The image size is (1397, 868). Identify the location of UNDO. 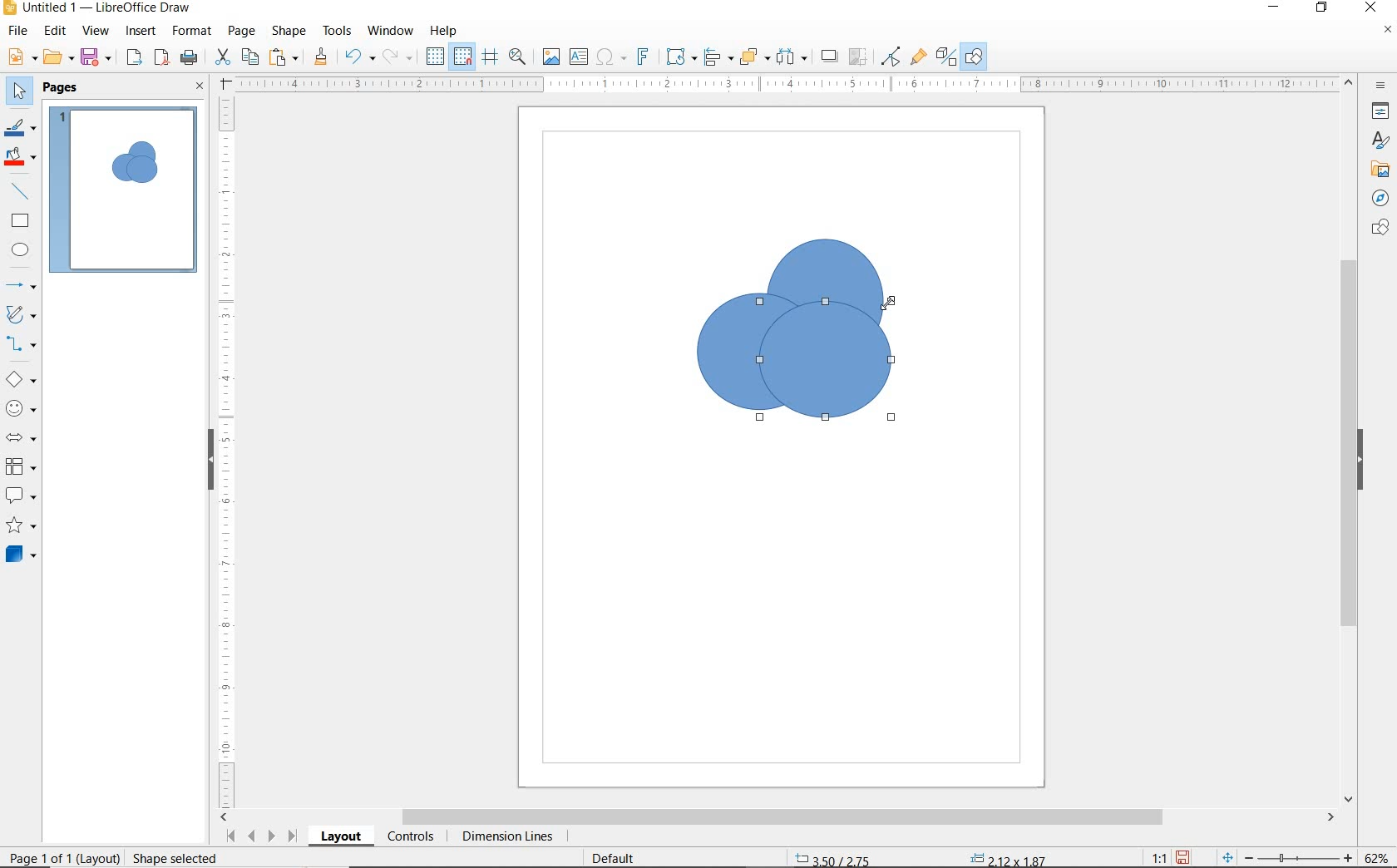
(359, 58).